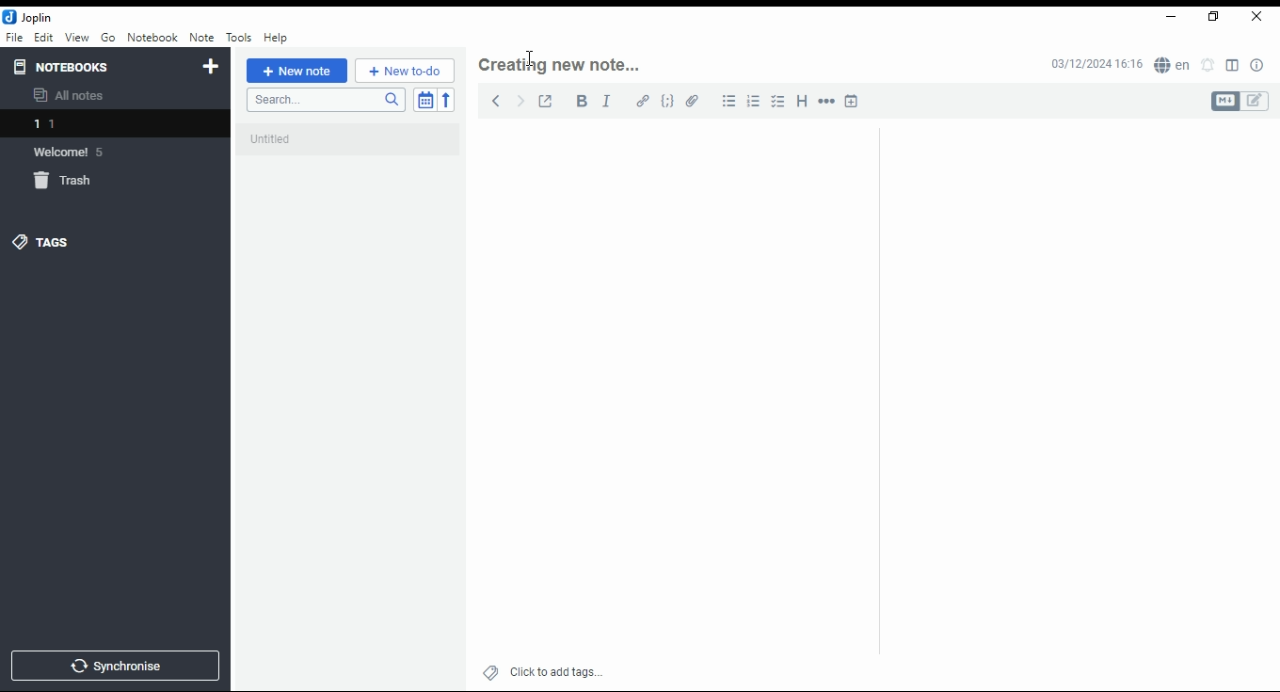 The width and height of the screenshot is (1280, 692). Describe the element at coordinates (1240, 101) in the screenshot. I see `toggle editors` at that location.